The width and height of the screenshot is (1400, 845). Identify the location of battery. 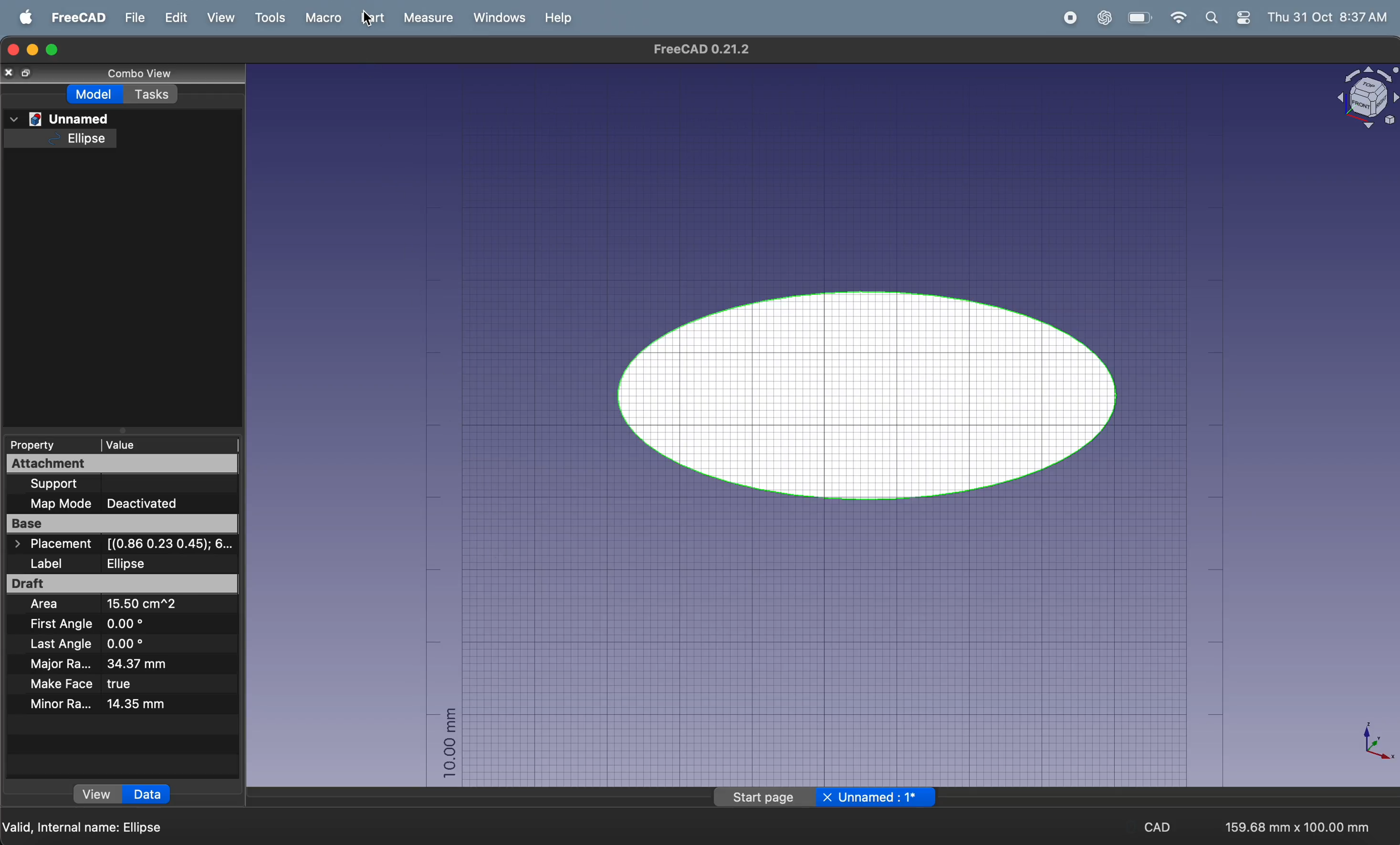
(1138, 18).